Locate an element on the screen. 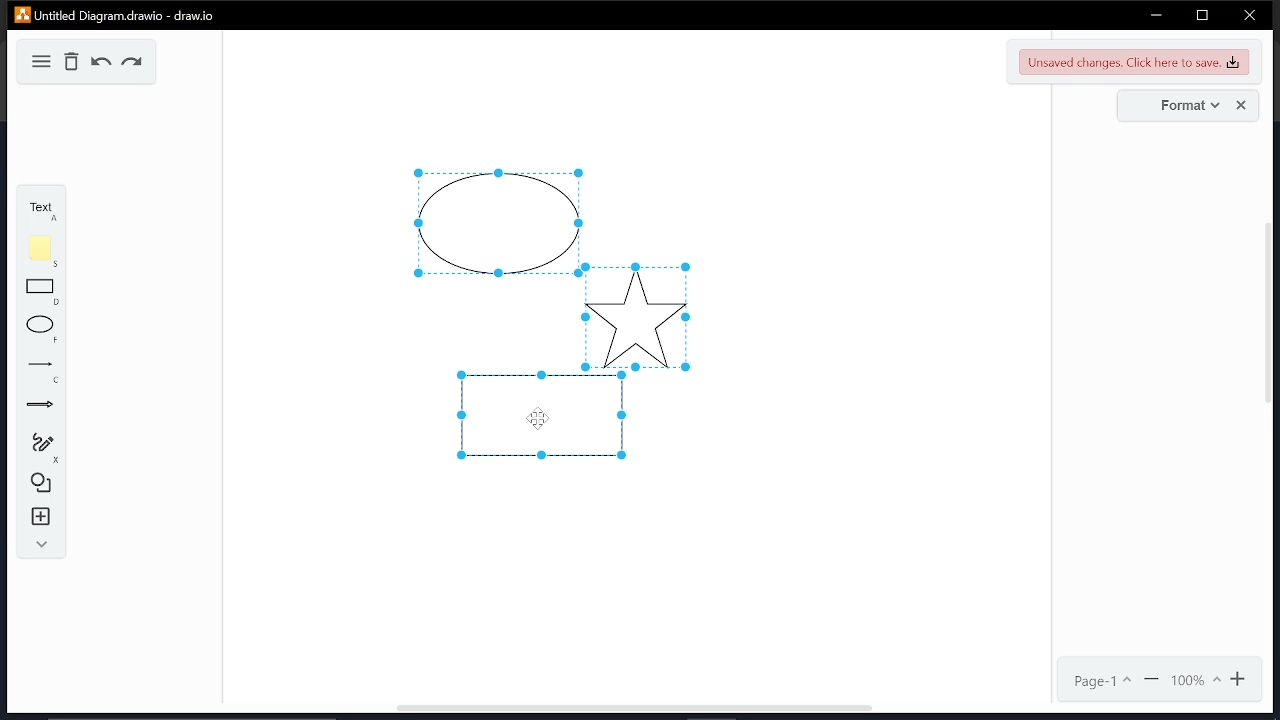  unsaved changes is located at coordinates (1134, 61).